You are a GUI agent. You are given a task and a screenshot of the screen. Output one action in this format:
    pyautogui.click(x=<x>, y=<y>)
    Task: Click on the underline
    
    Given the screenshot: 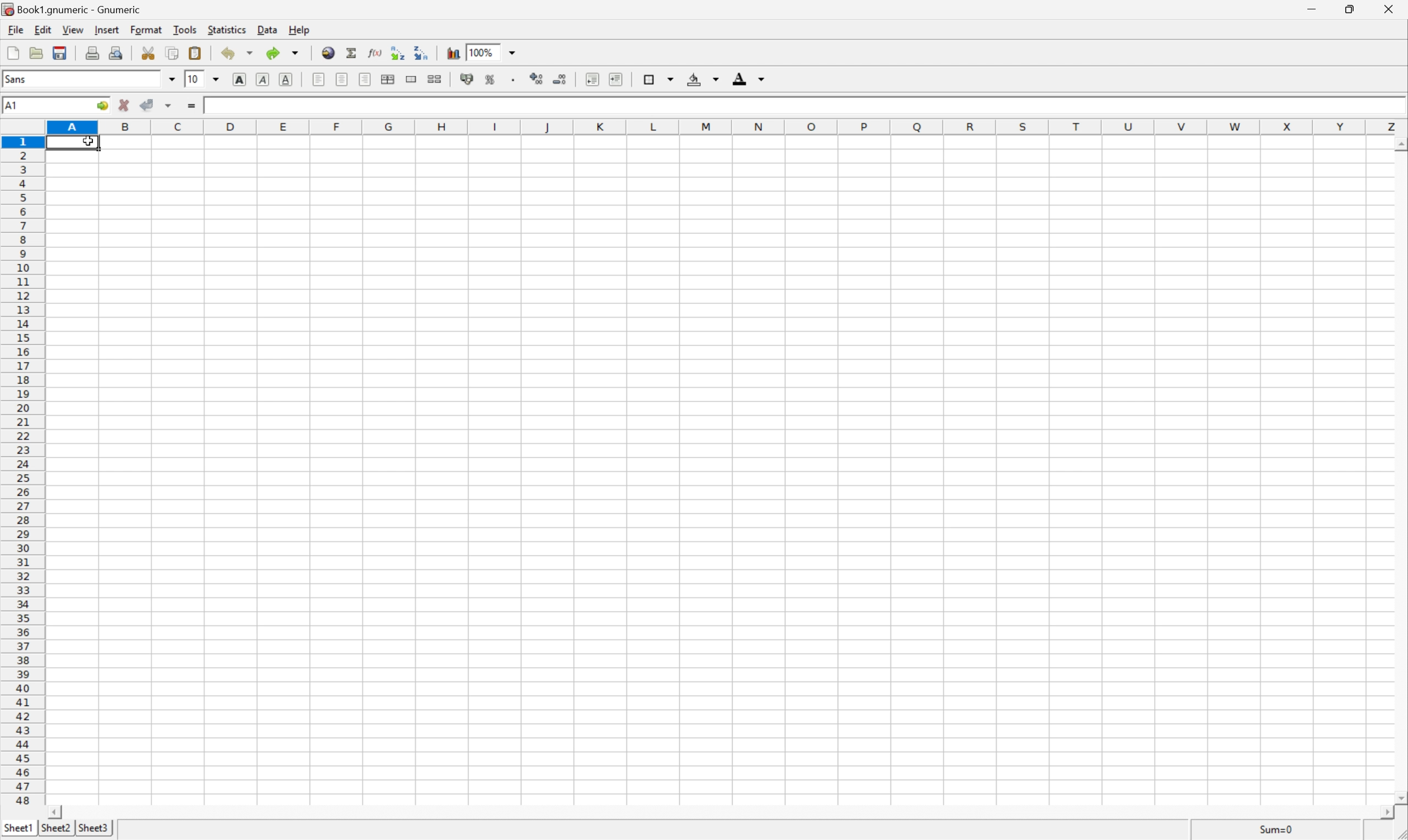 What is the action you would take?
    pyautogui.click(x=287, y=78)
    